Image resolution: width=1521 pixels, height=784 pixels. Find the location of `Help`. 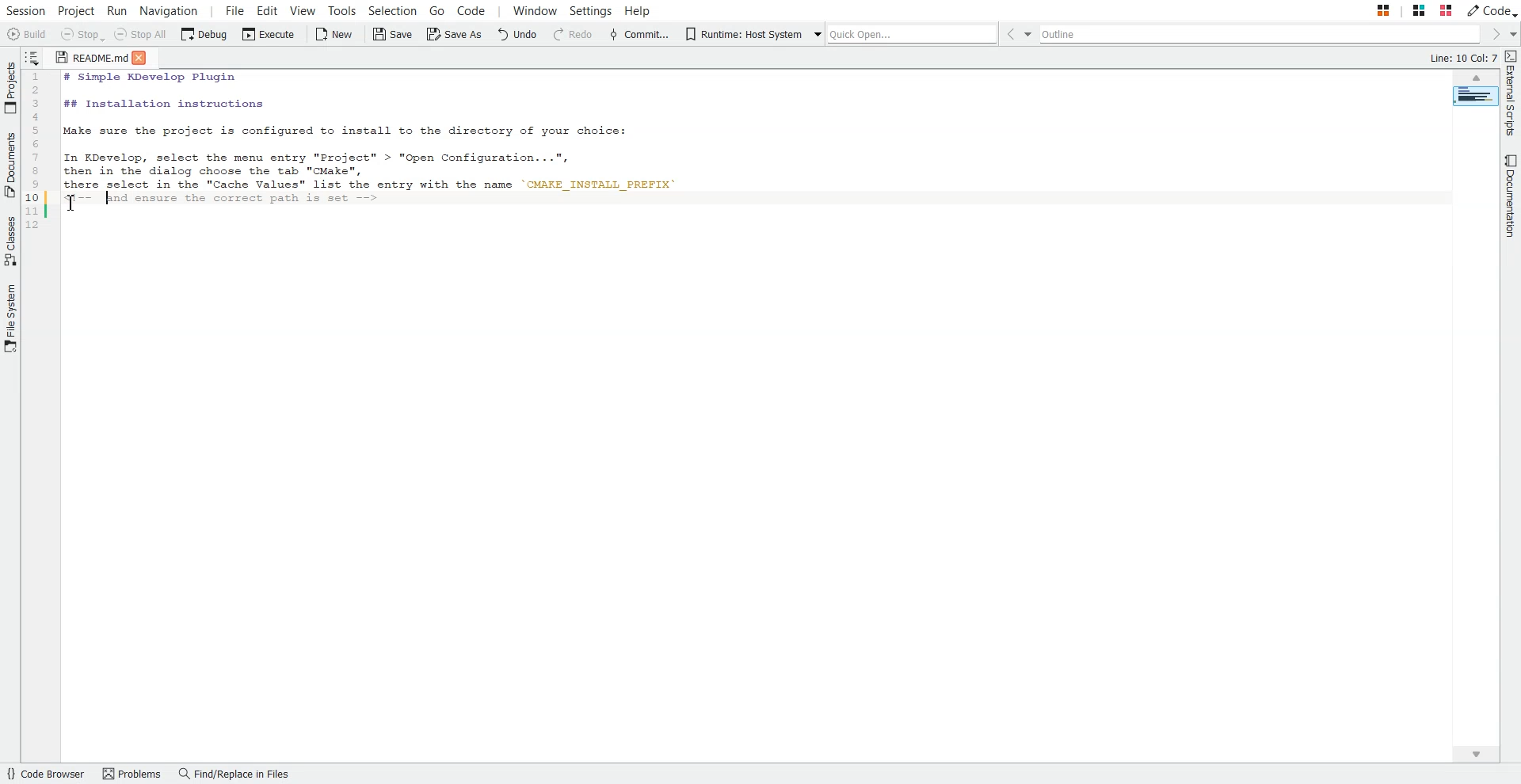

Help is located at coordinates (638, 10).